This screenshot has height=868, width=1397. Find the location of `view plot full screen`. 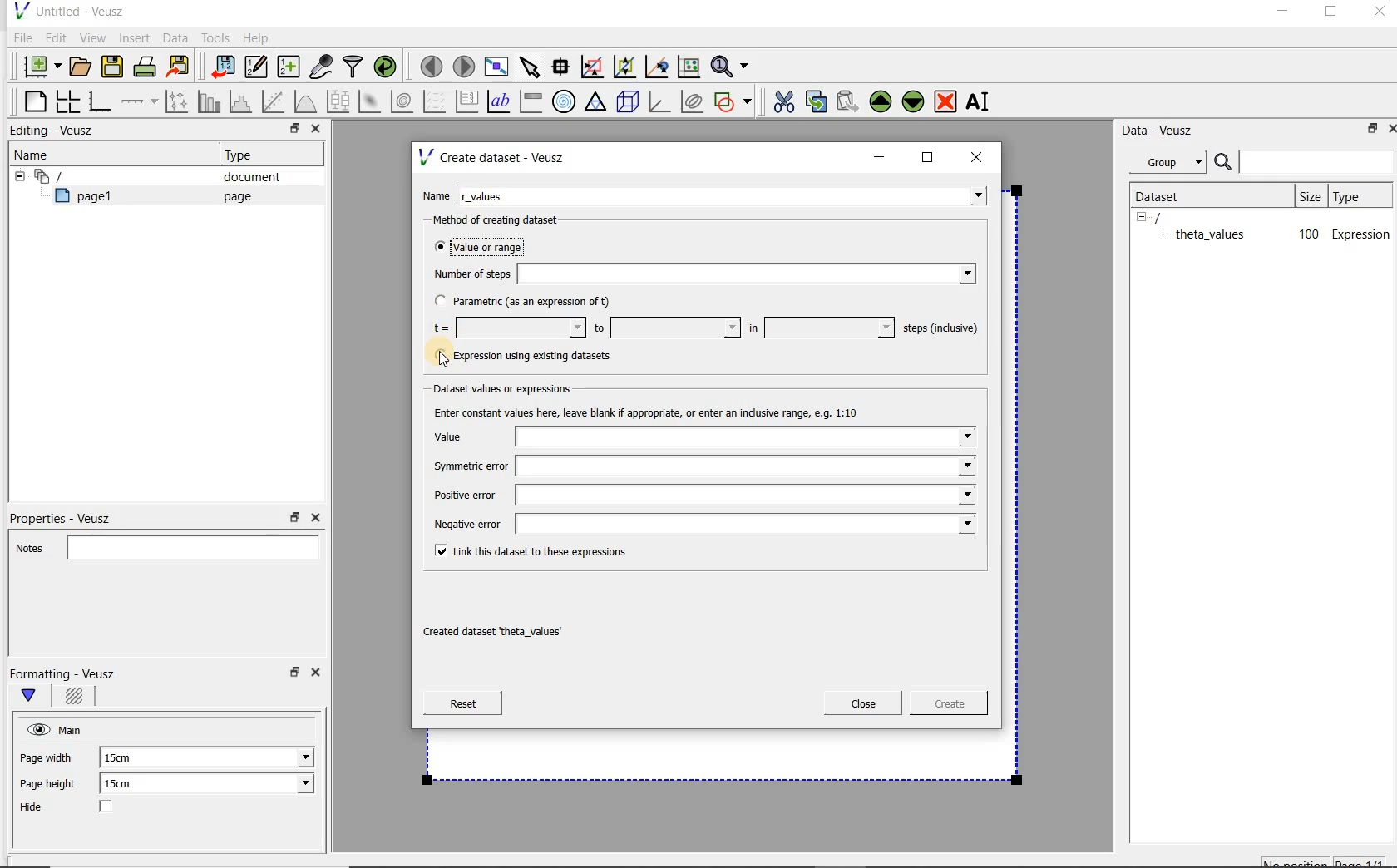

view plot full screen is located at coordinates (495, 65).